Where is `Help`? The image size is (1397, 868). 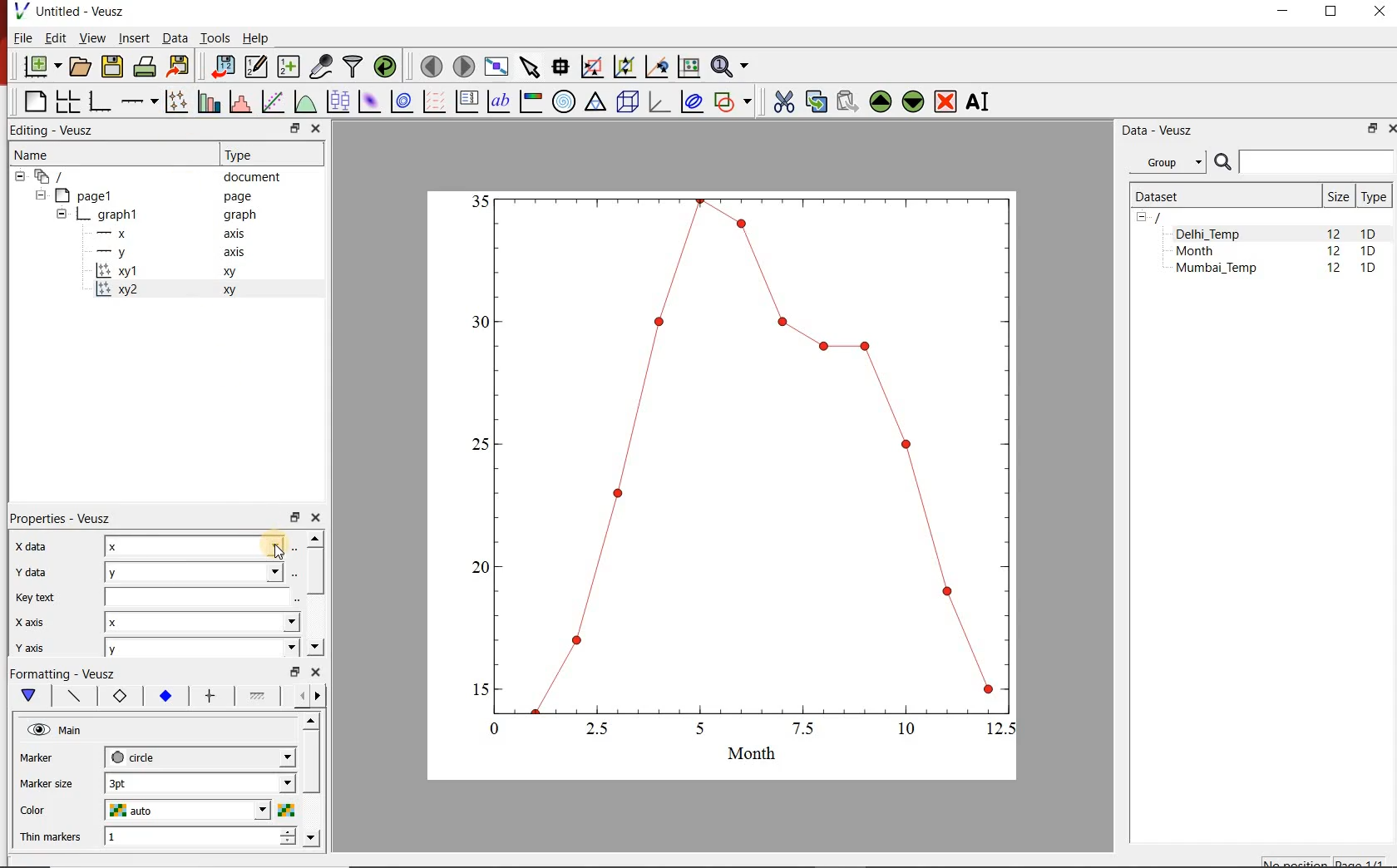
Help is located at coordinates (256, 37).